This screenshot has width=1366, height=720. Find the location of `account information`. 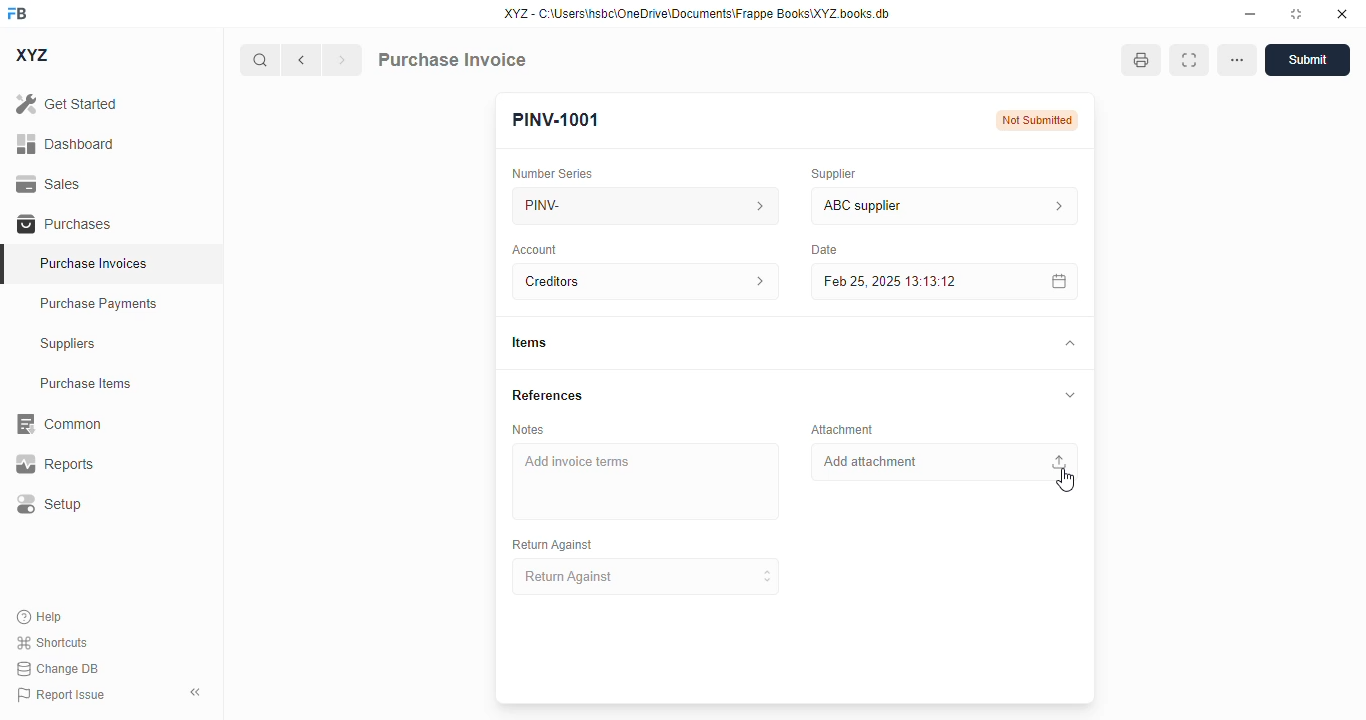

account information is located at coordinates (753, 282).